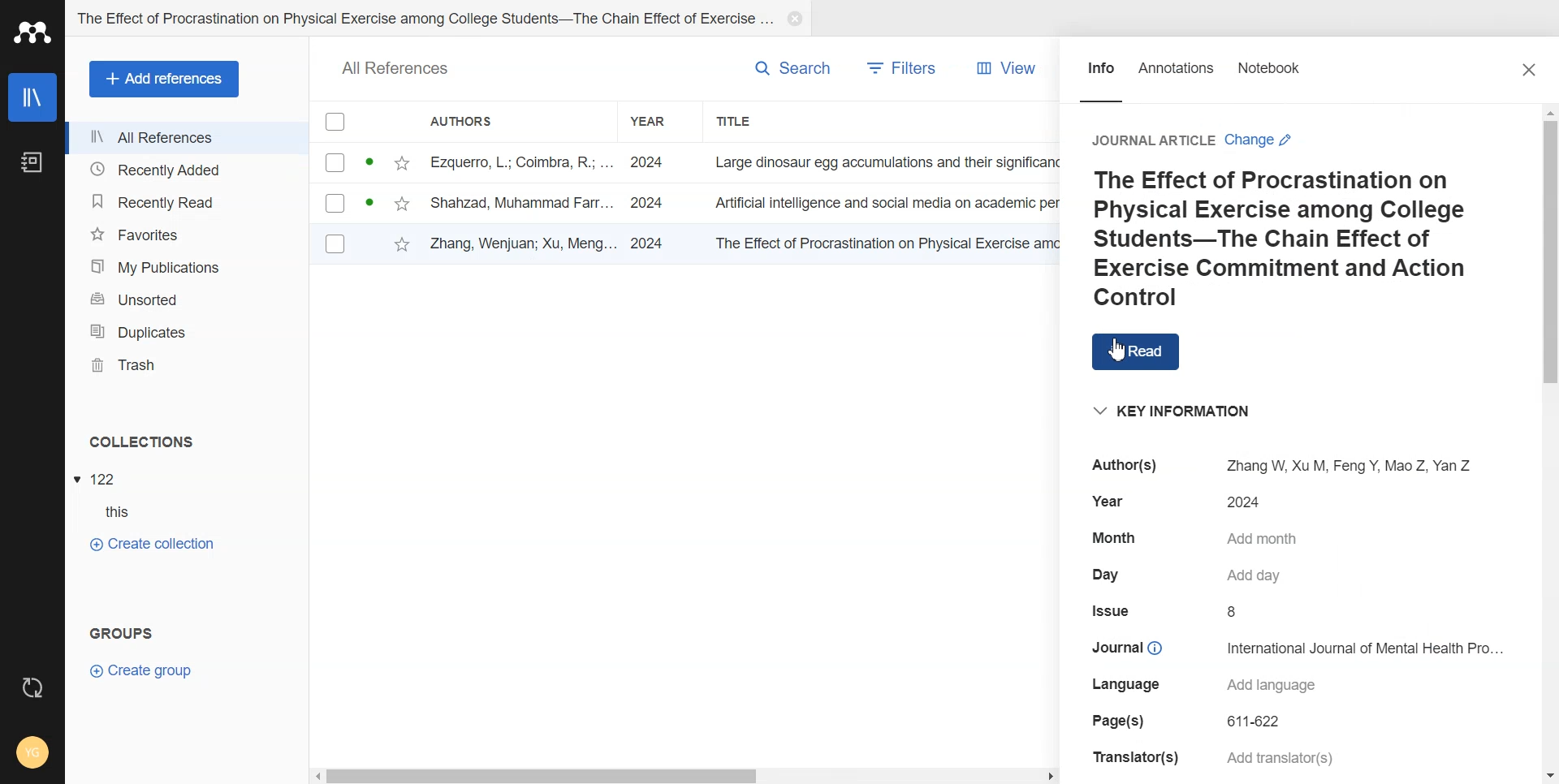 The width and height of the screenshot is (1559, 784). I want to click on View, so click(1002, 69).